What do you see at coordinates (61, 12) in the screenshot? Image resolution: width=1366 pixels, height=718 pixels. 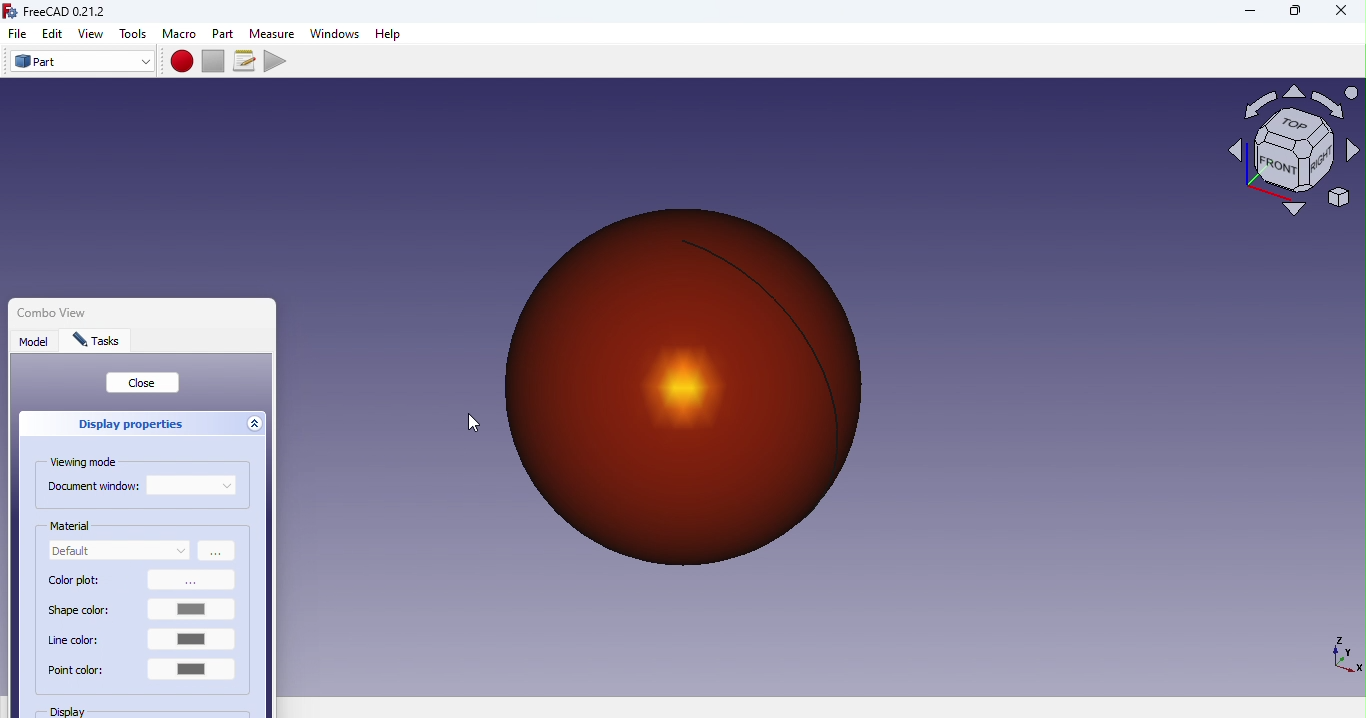 I see `FreeCAD logo` at bounding box center [61, 12].